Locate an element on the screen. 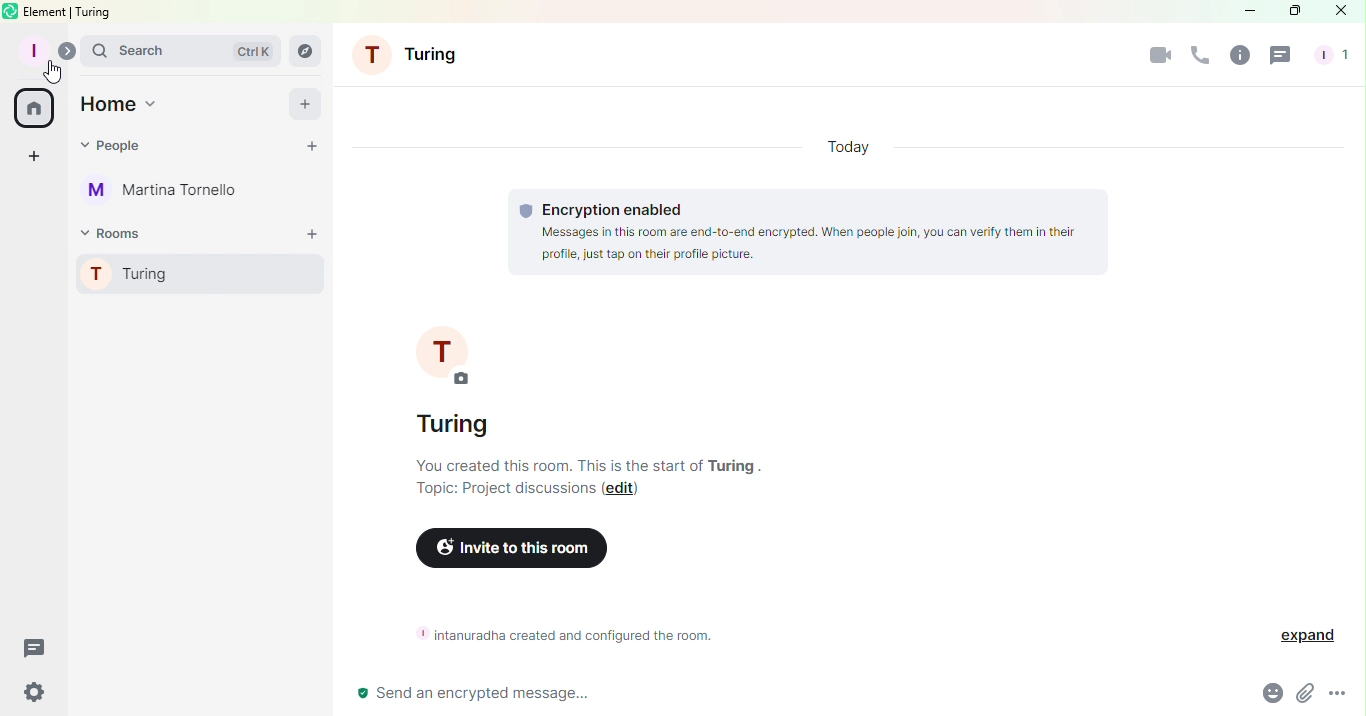  Topic is located at coordinates (497, 491).